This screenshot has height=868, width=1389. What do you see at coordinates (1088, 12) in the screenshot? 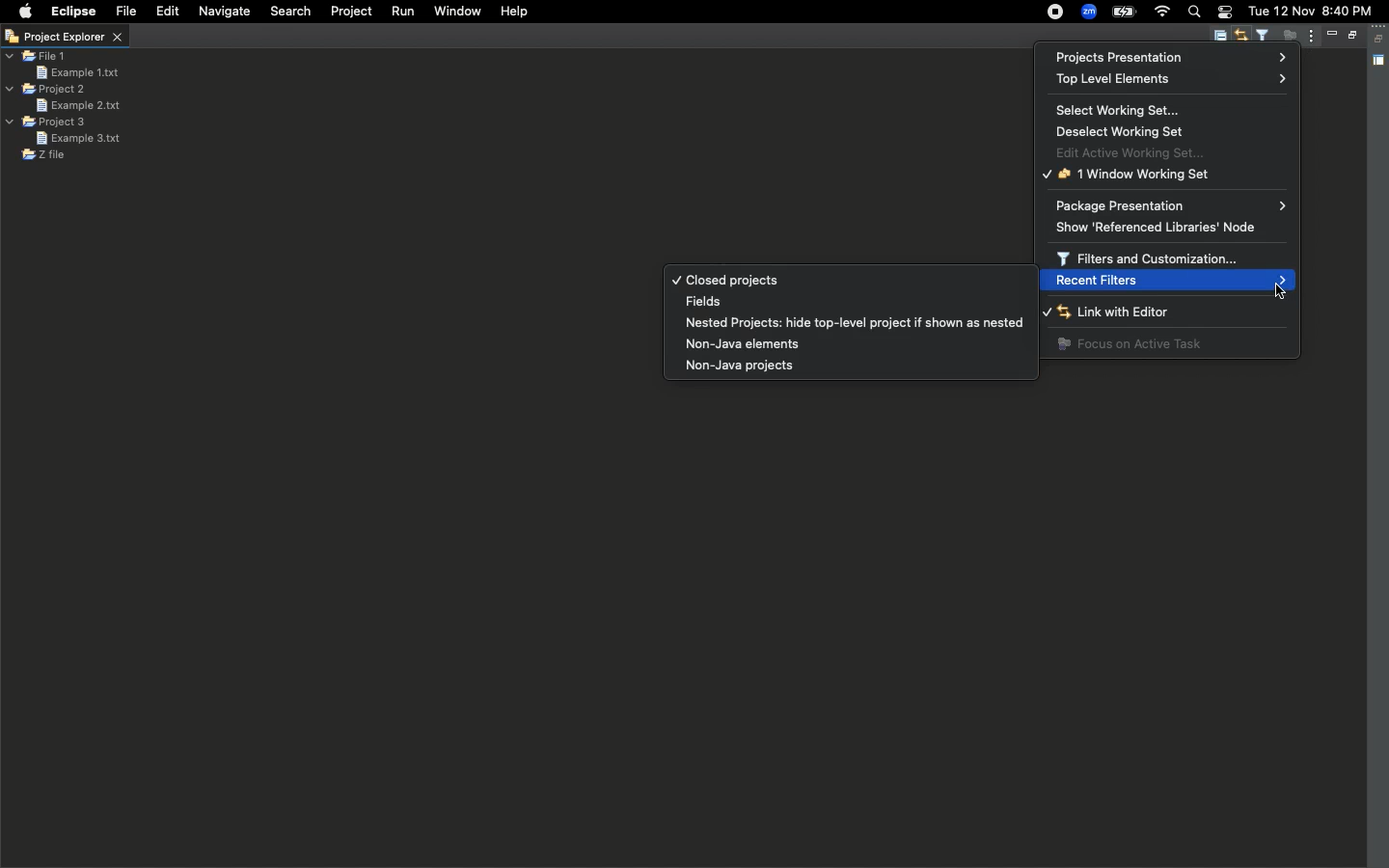
I see `Zoom` at bounding box center [1088, 12].